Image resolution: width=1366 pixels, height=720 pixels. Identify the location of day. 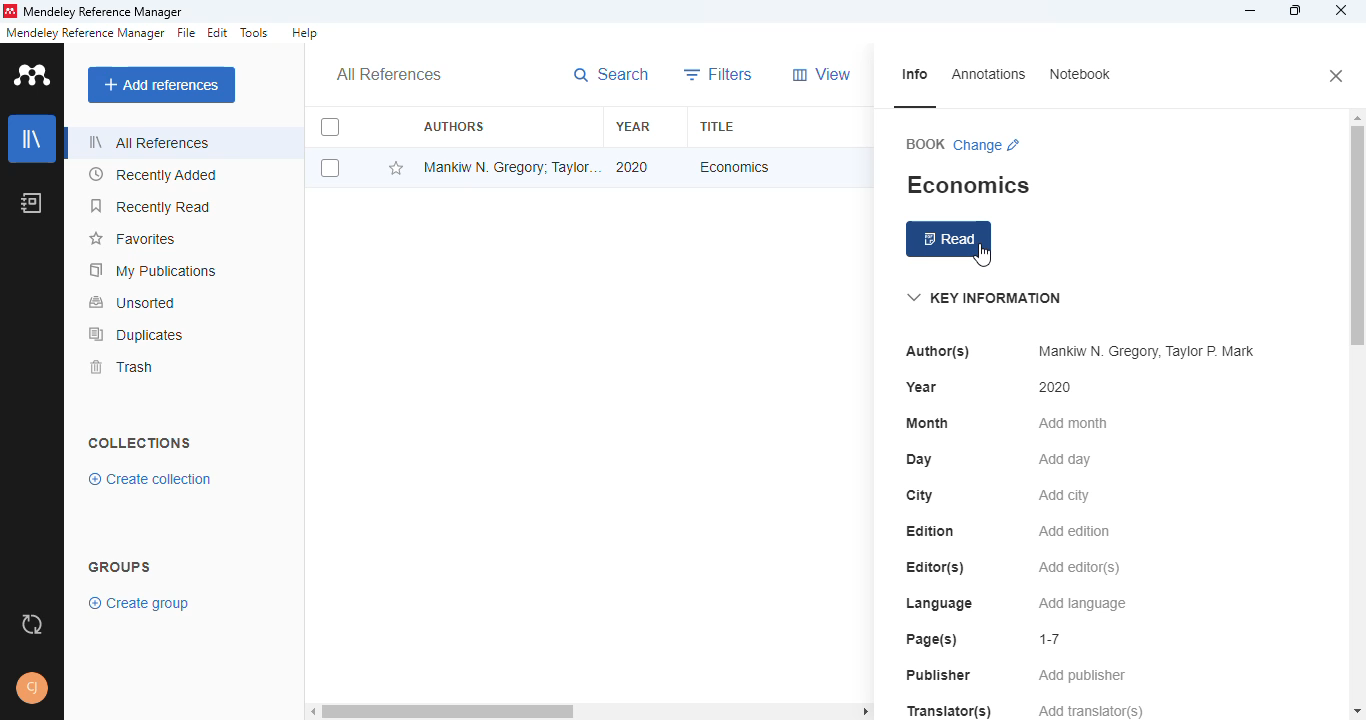
(919, 460).